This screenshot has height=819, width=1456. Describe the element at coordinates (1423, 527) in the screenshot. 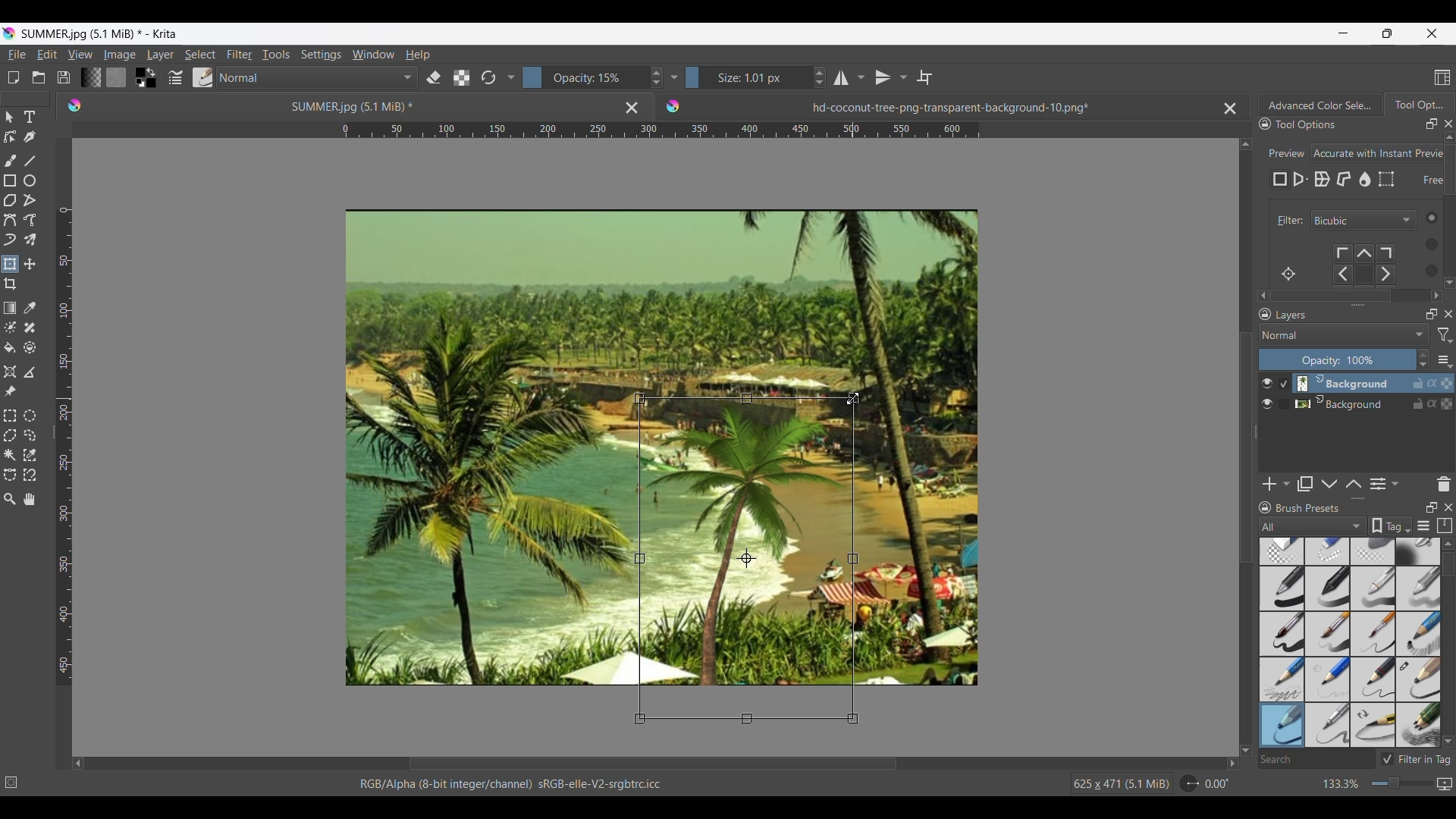

I see `Display settings` at that location.